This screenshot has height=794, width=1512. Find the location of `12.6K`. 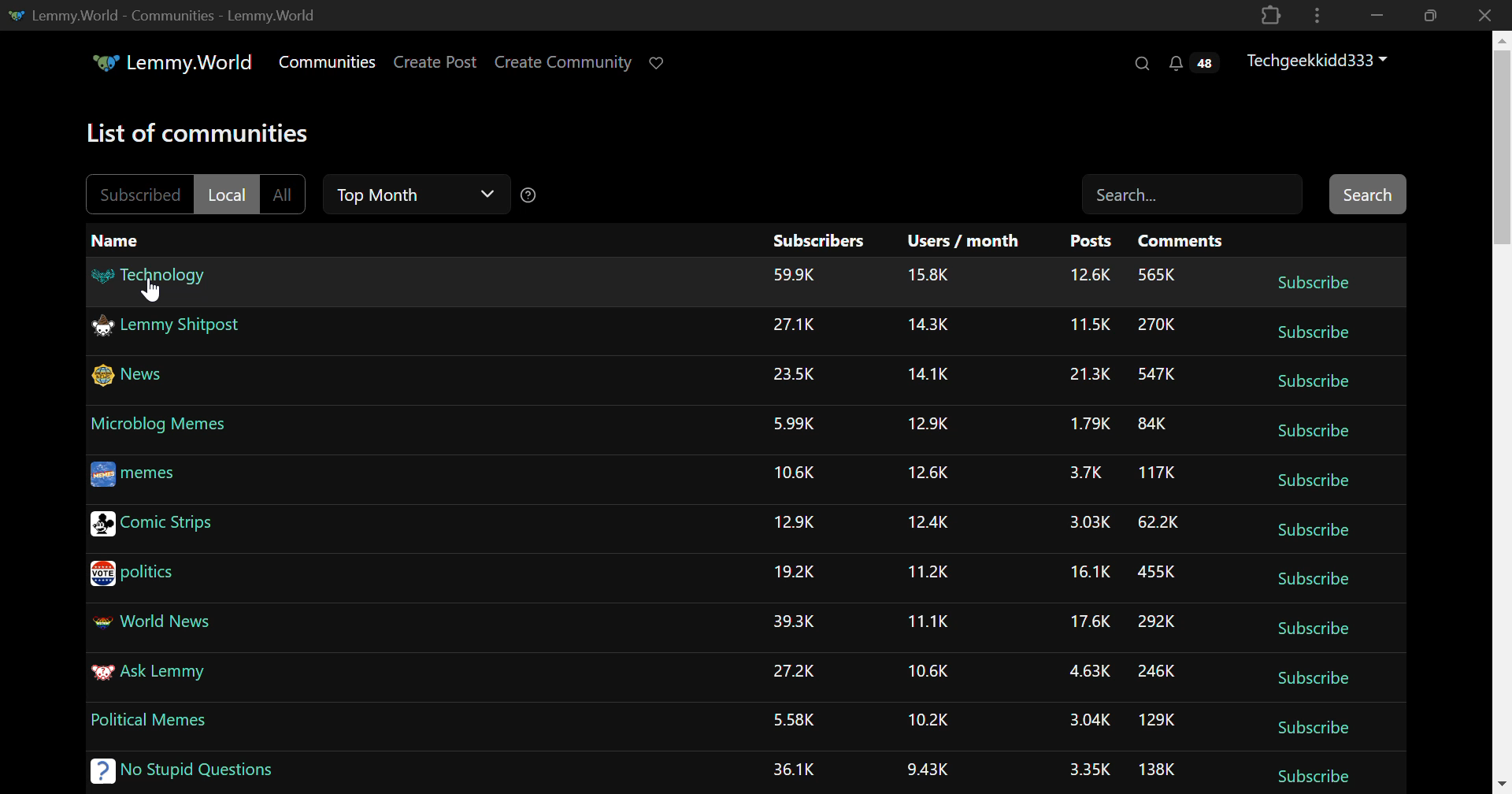

12.6K is located at coordinates (1090, 276).